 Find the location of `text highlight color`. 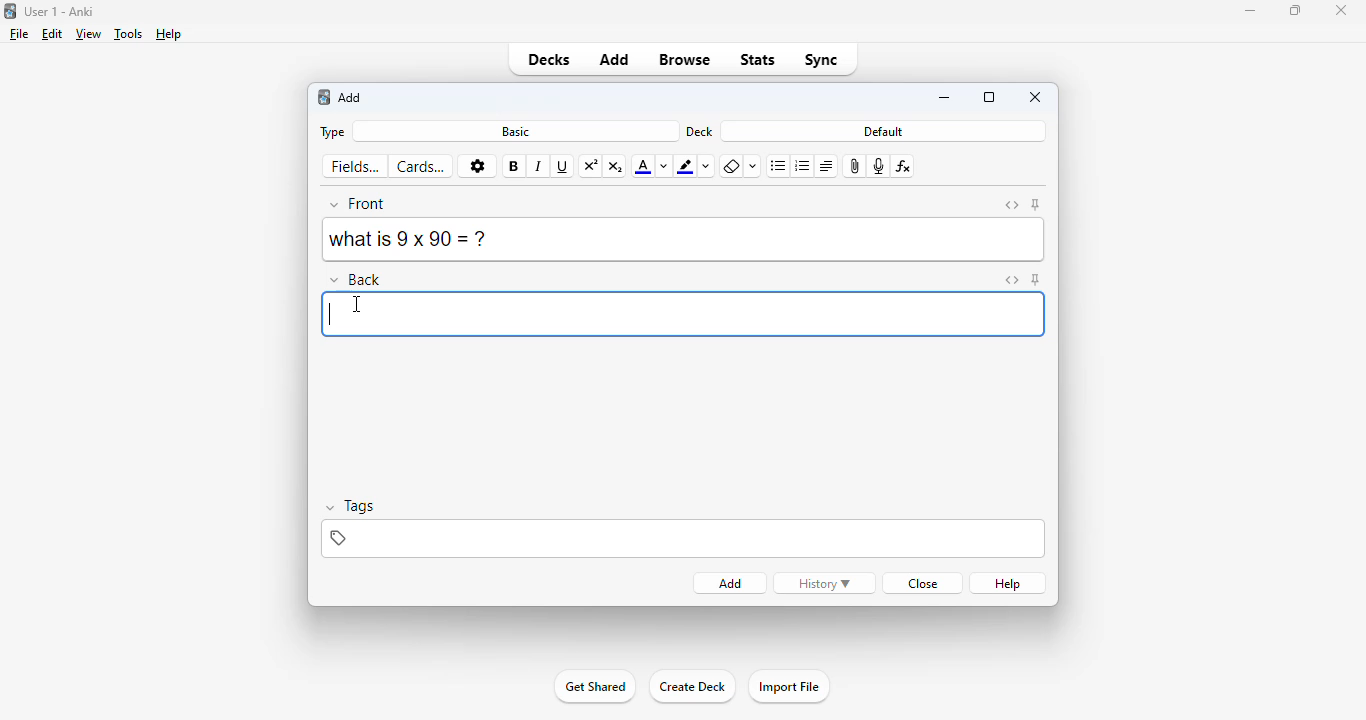

text highlight color is located at coordinates (686, 166).